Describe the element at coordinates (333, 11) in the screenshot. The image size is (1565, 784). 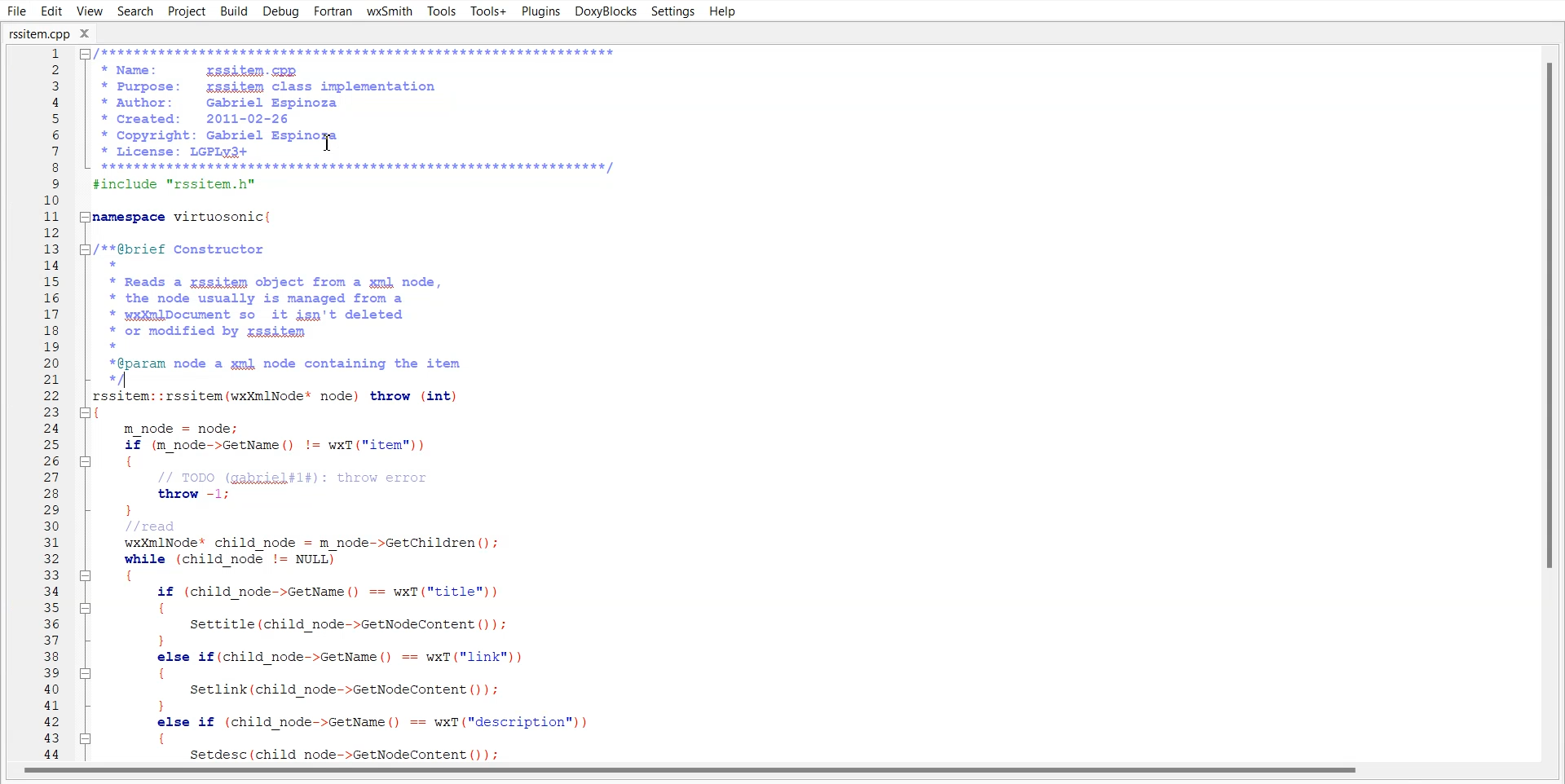
I see `Fortran` at that location.